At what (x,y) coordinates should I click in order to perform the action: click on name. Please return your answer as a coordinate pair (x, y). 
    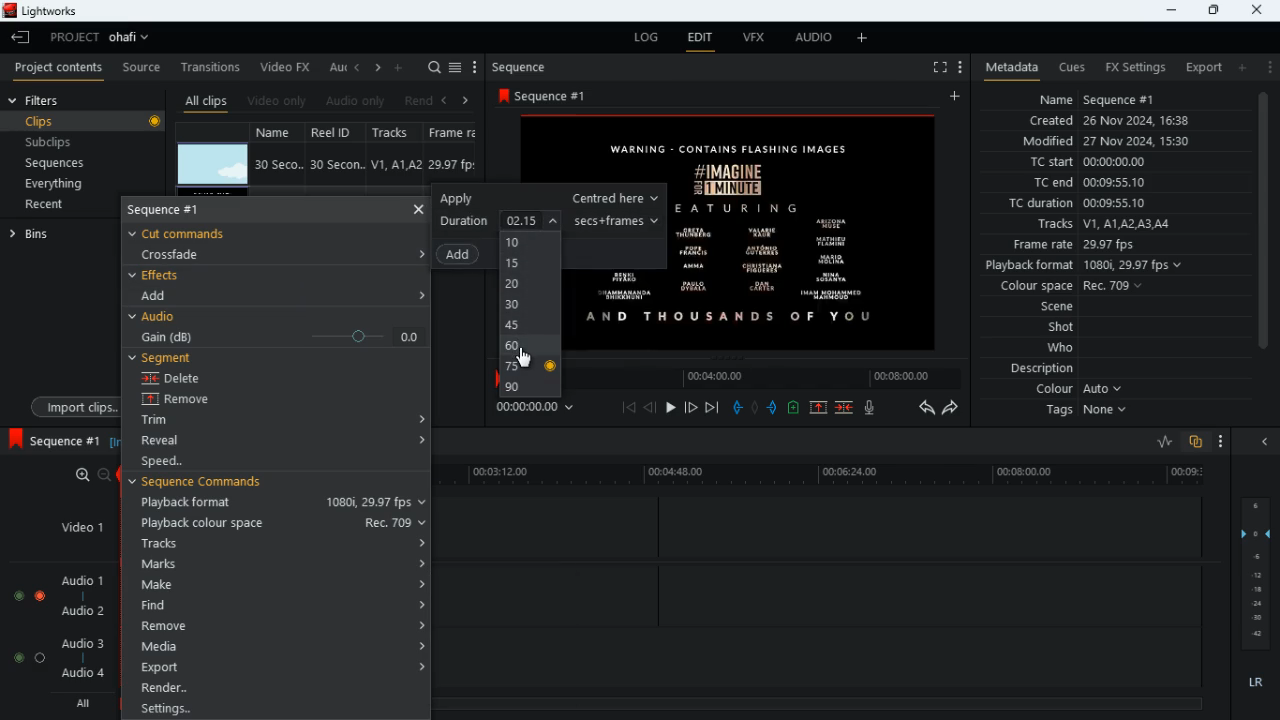
    Looking at the image, I should click on (1098, 97).